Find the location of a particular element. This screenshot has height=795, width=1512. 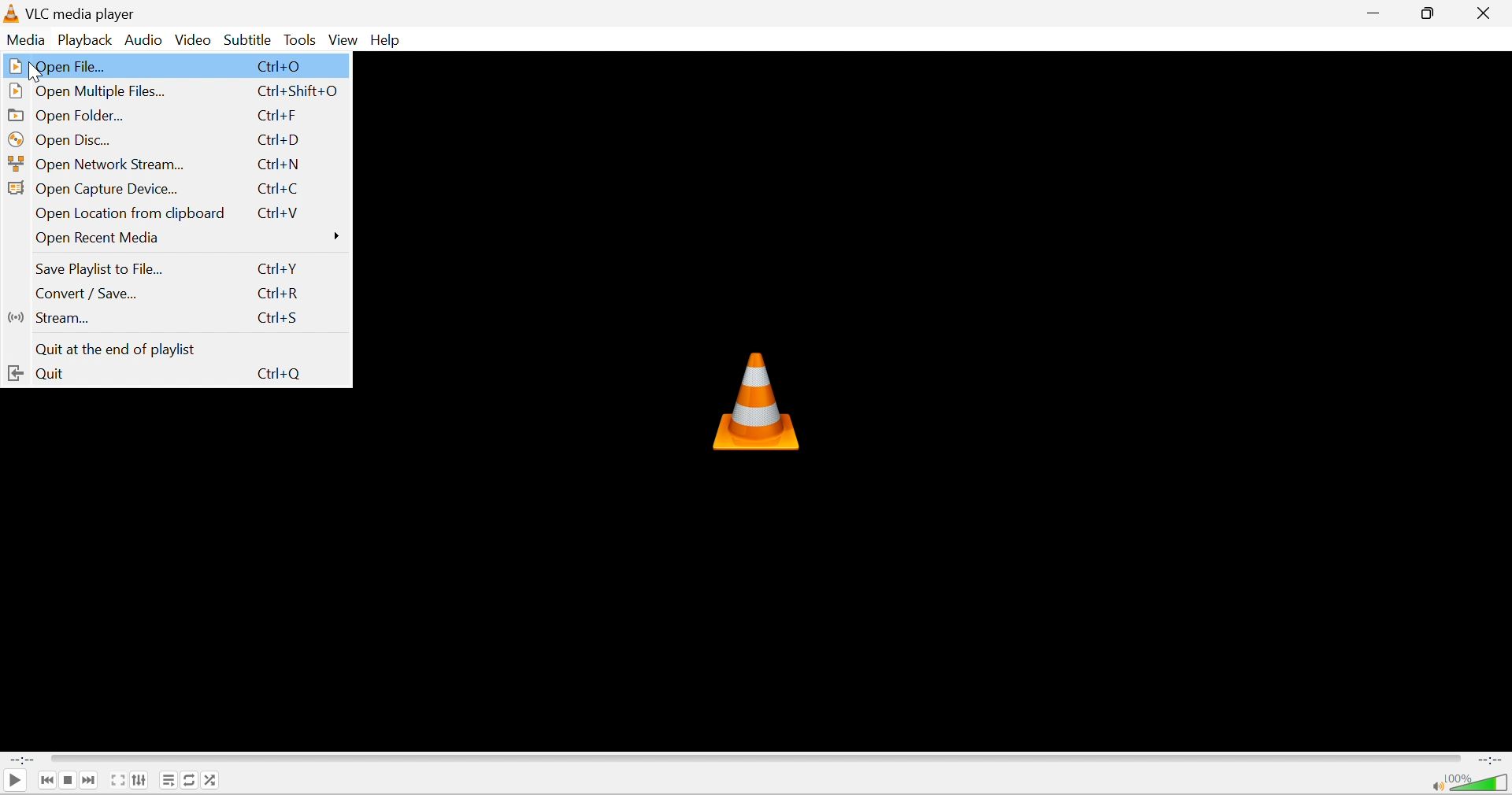

Open Network Stream... is located at coordinates (98, 164).